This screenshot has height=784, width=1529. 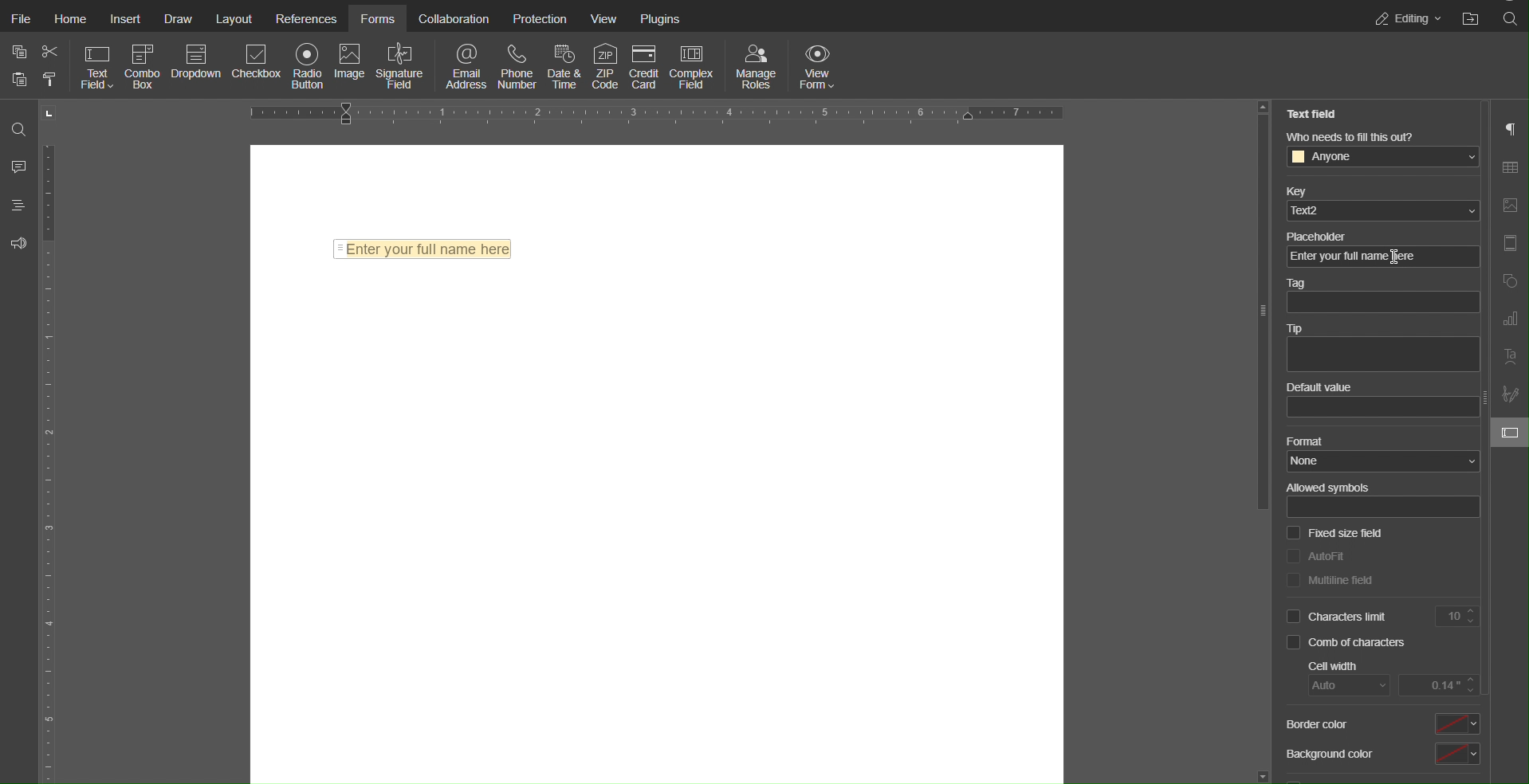 What do you see at coordinates (538, 20) in the screenshot?
I see `Protection` at bounding box center [538, 20].